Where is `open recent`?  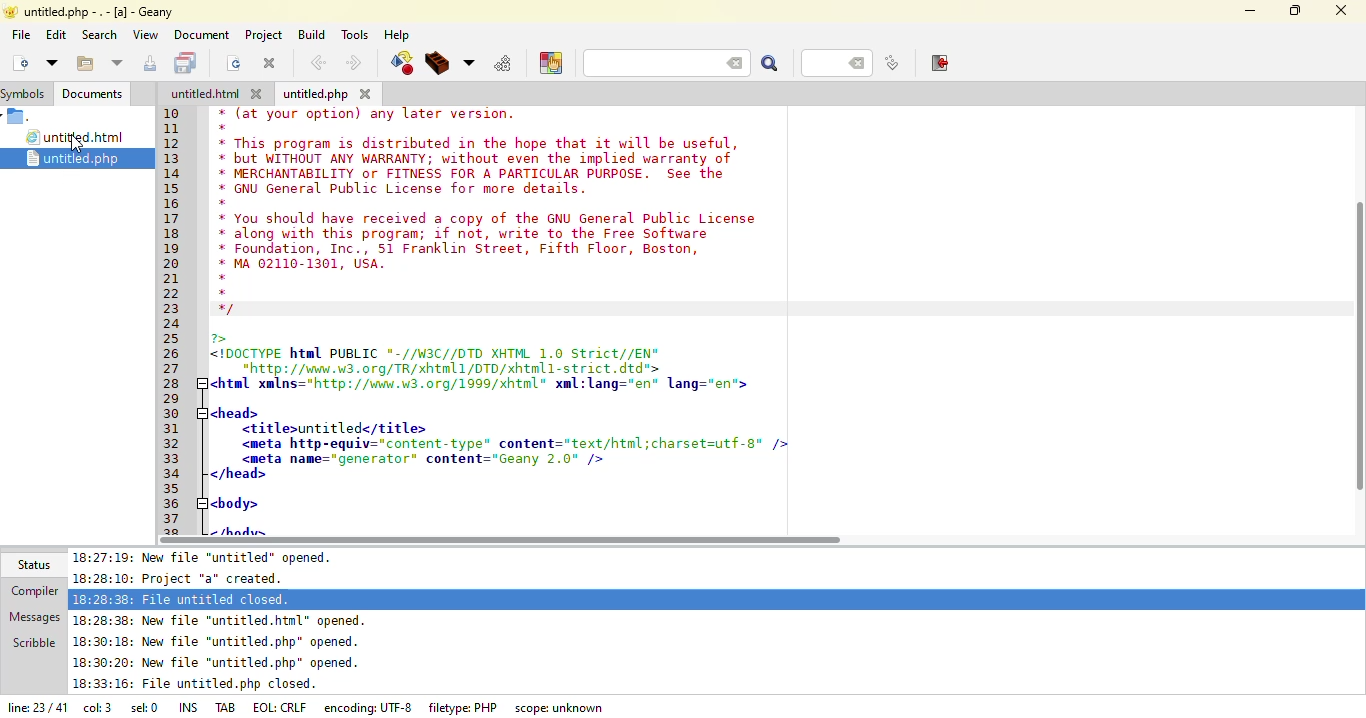
open recent is located at coordinates (118, 63).